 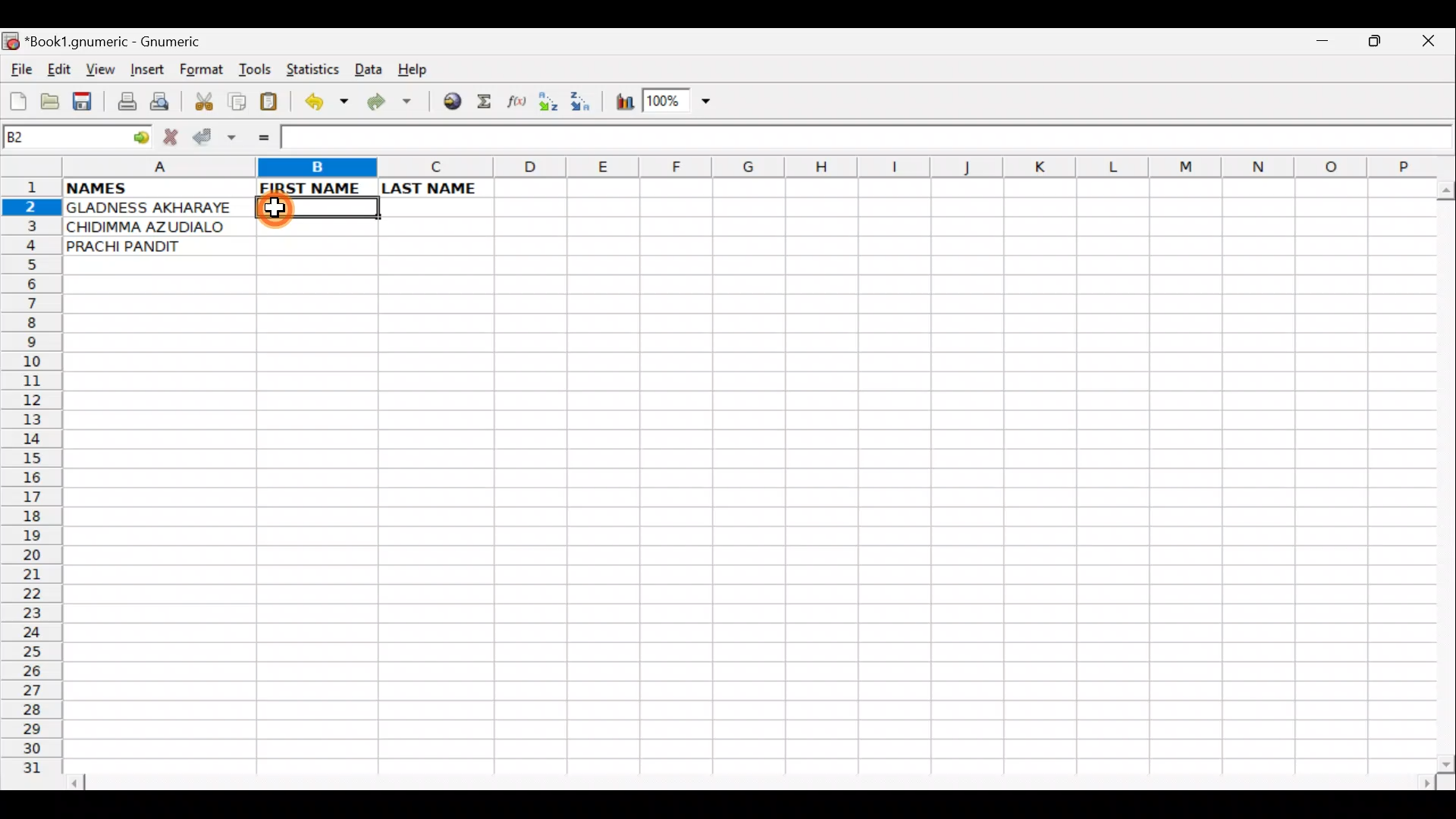 I want to click on Cursor, so click(x=285, y=209).